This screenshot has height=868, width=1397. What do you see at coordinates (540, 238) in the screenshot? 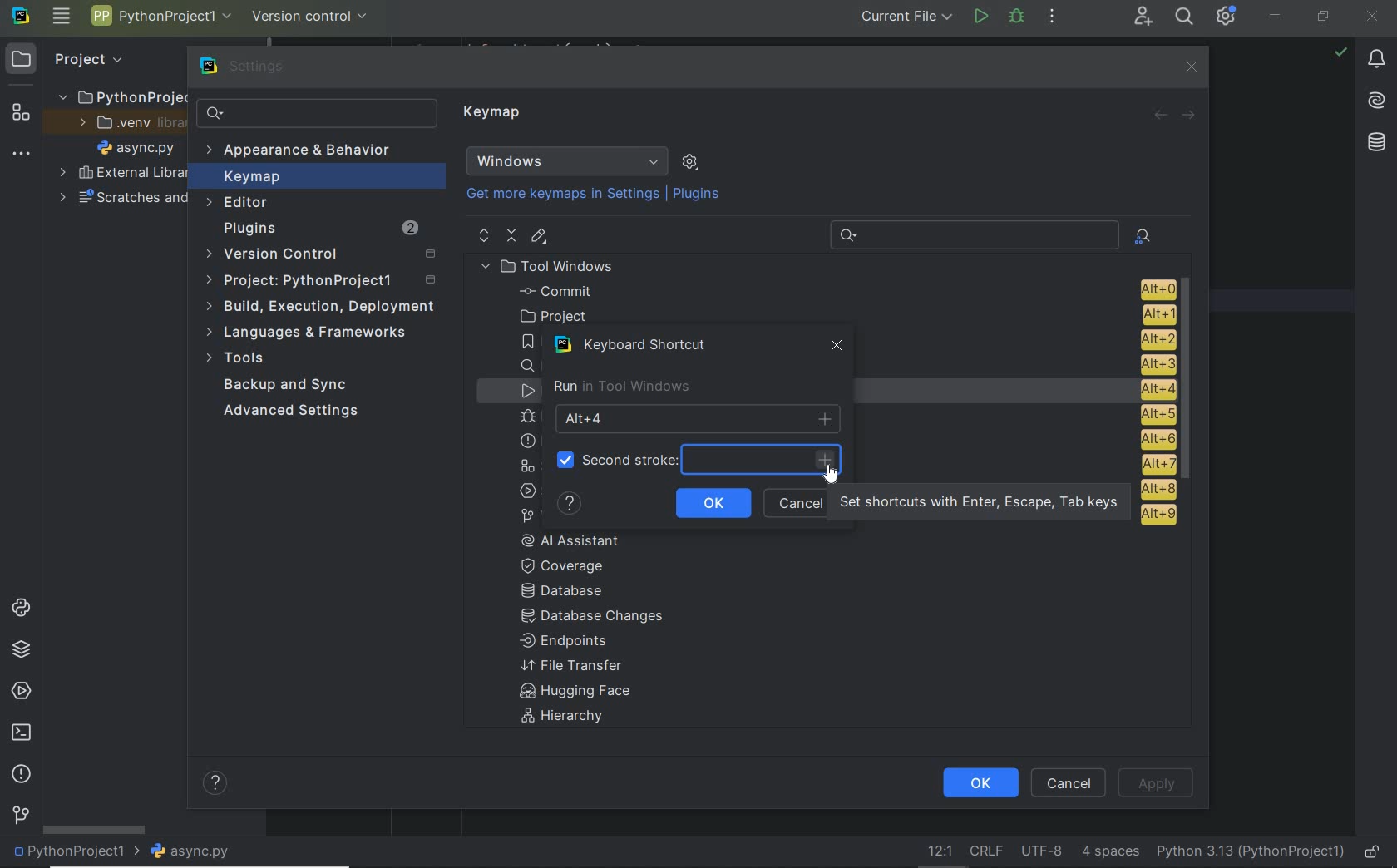
I see `editor shortcut` at bounding box center [540, 238].